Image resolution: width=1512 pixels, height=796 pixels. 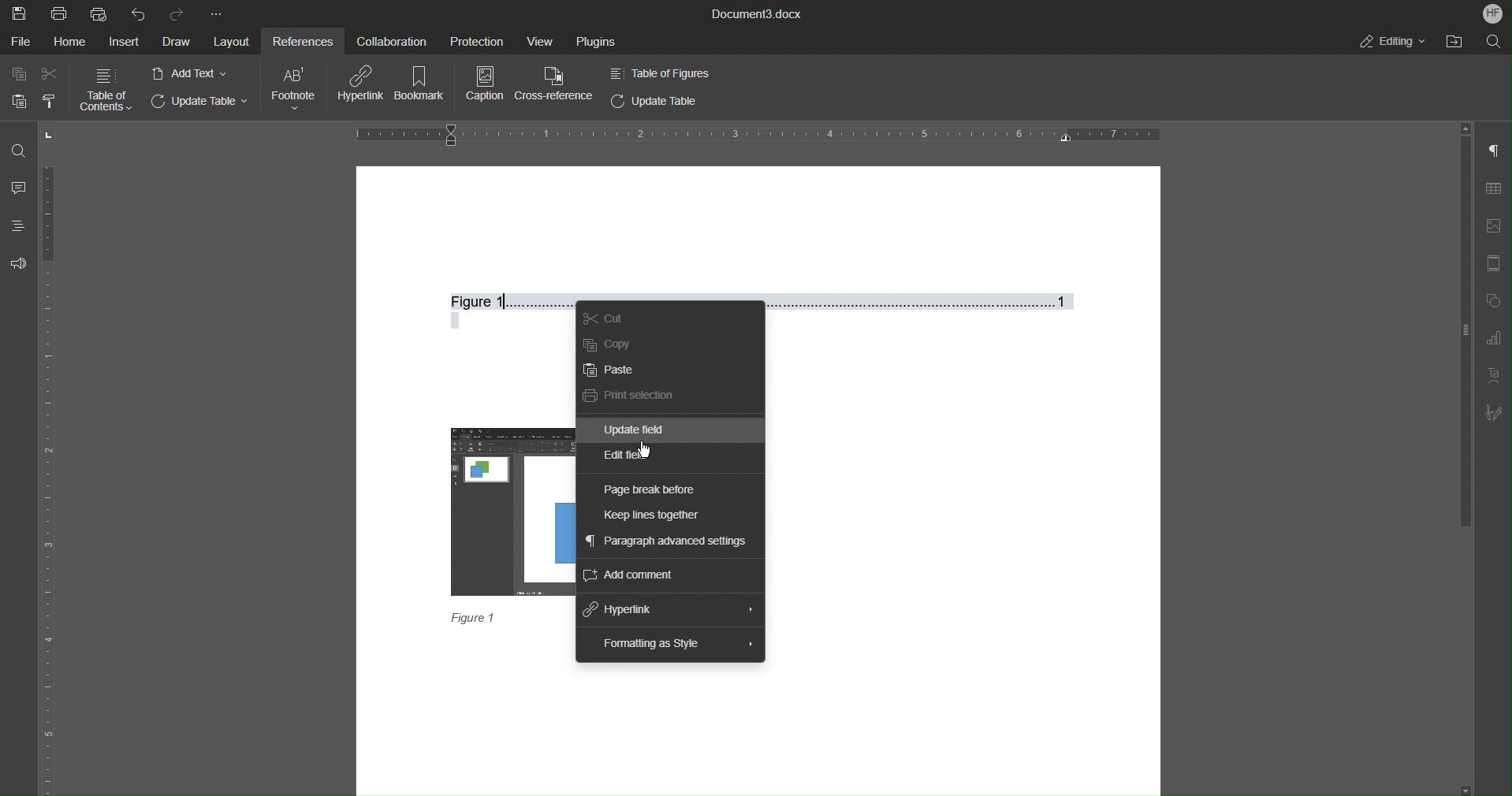 What do you see at coordinates (50, 101) in the screenshot?
I see `Copy Style` at bounding box center [50, 101].